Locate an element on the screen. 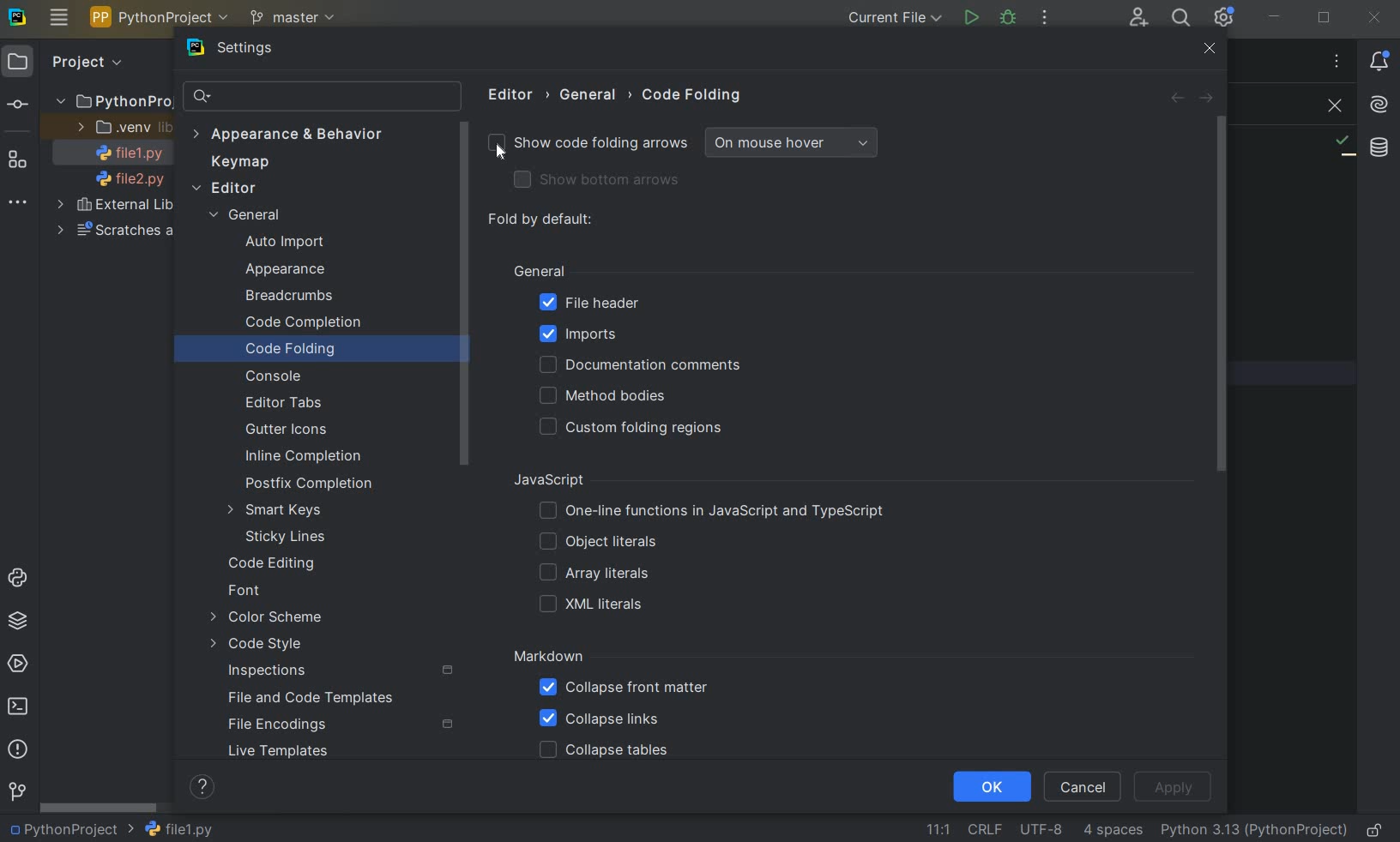  LINE SEPARATOR is located at coordinates (984, 828).